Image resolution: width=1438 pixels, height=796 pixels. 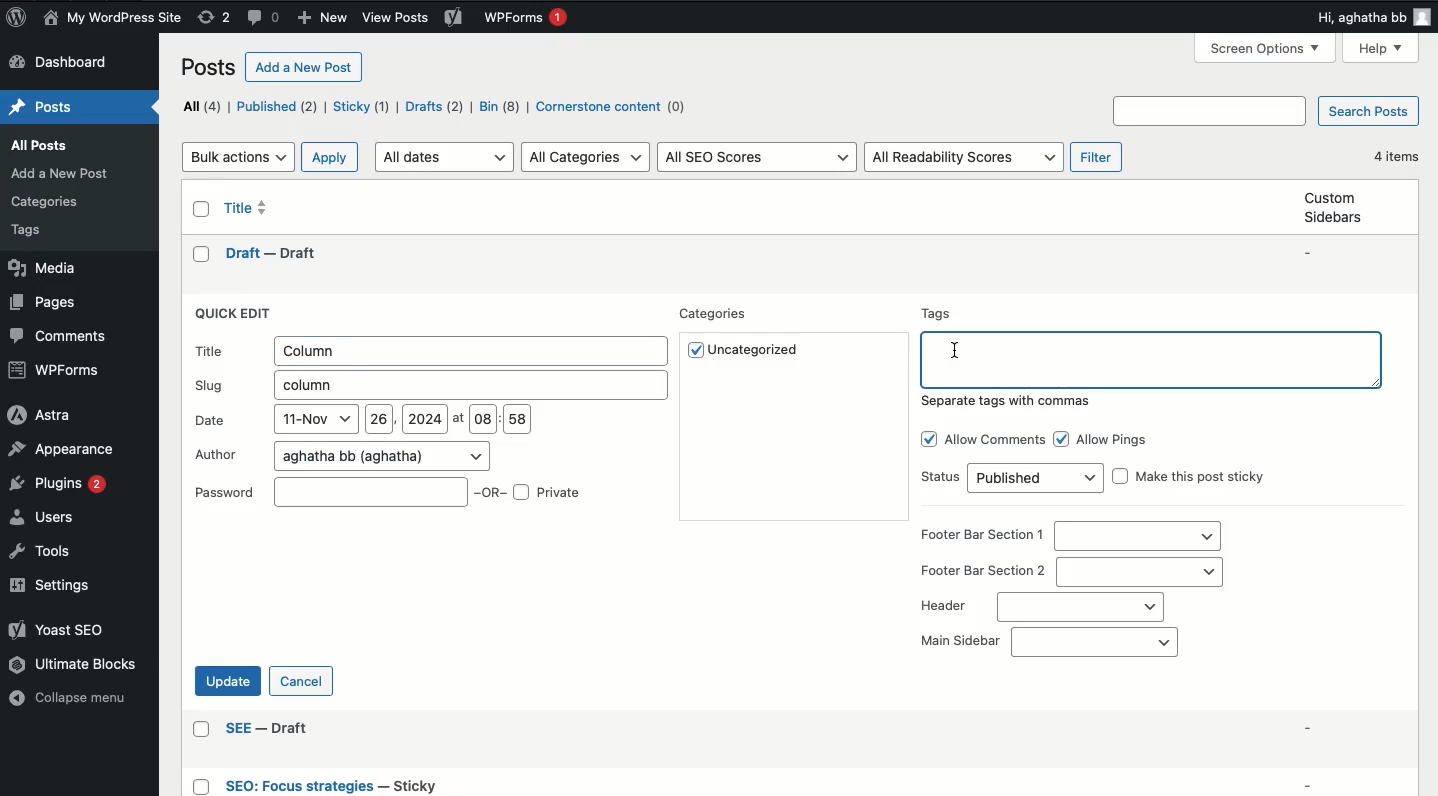 I want to click on , so click(x=44, y=204).